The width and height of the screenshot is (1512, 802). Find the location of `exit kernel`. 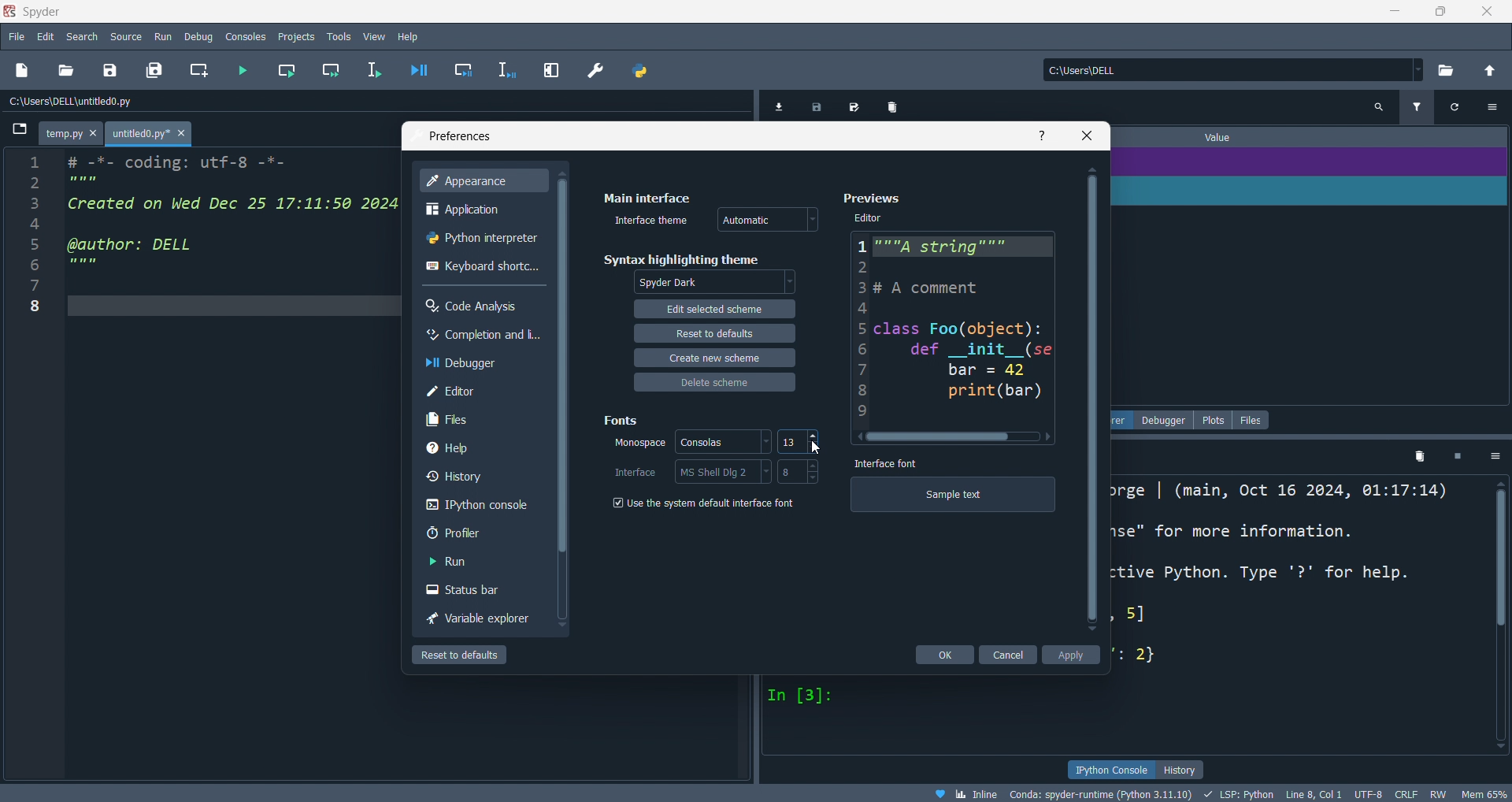

exit kernel is located at coordinates (1459, 456).